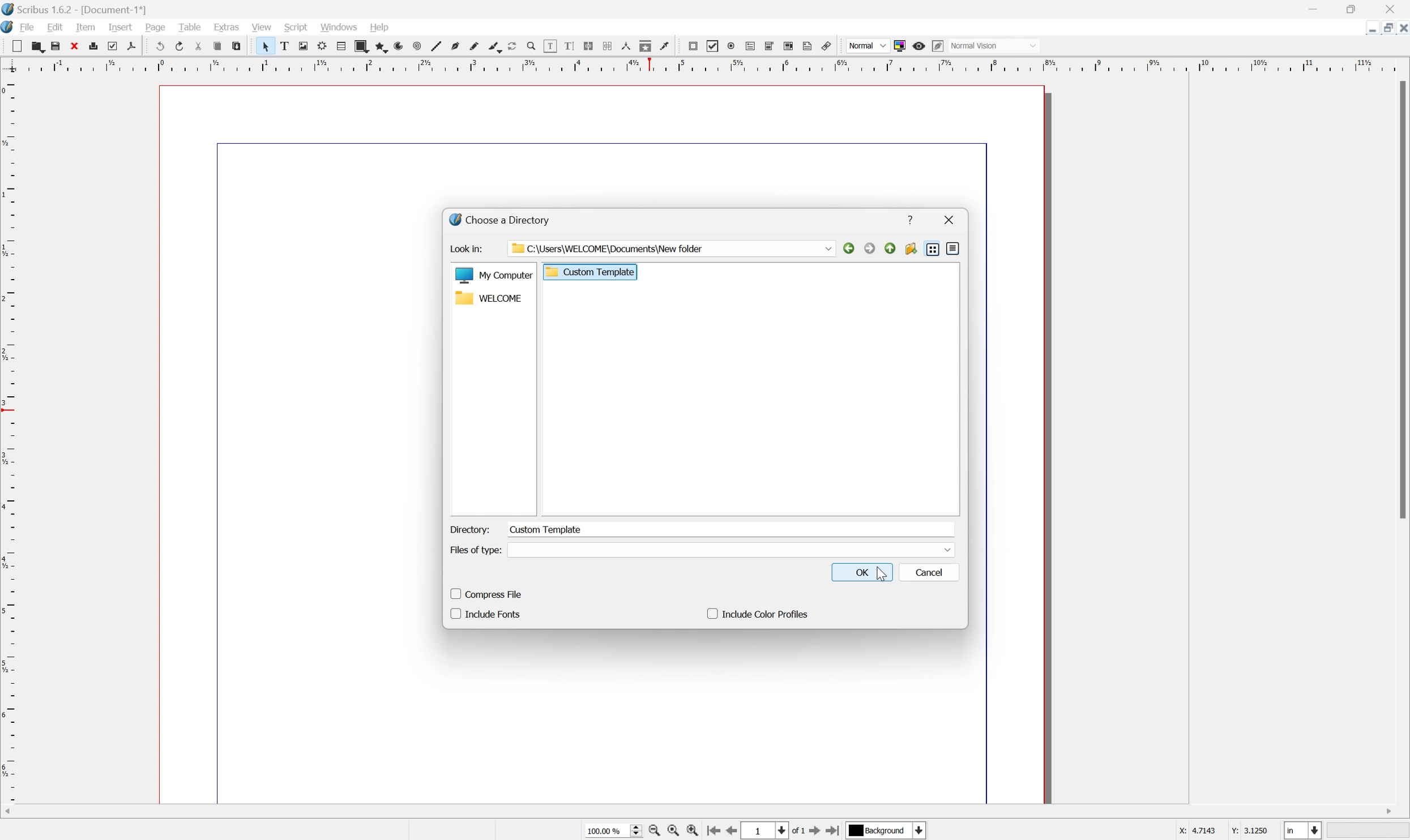  Describe the element at coordinates (867, 46) in the screenshot. I see `Normal` at that location.